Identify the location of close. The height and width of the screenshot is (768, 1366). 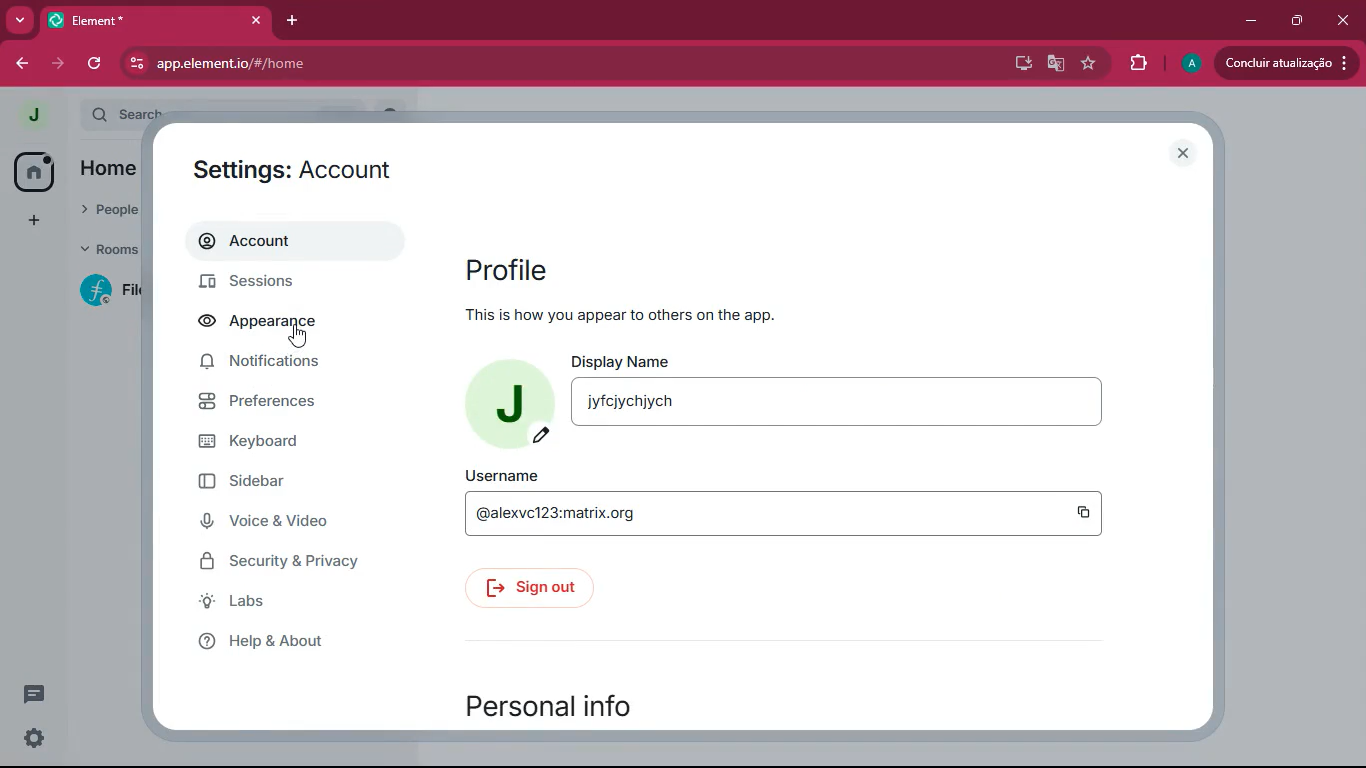
(1186, 154).